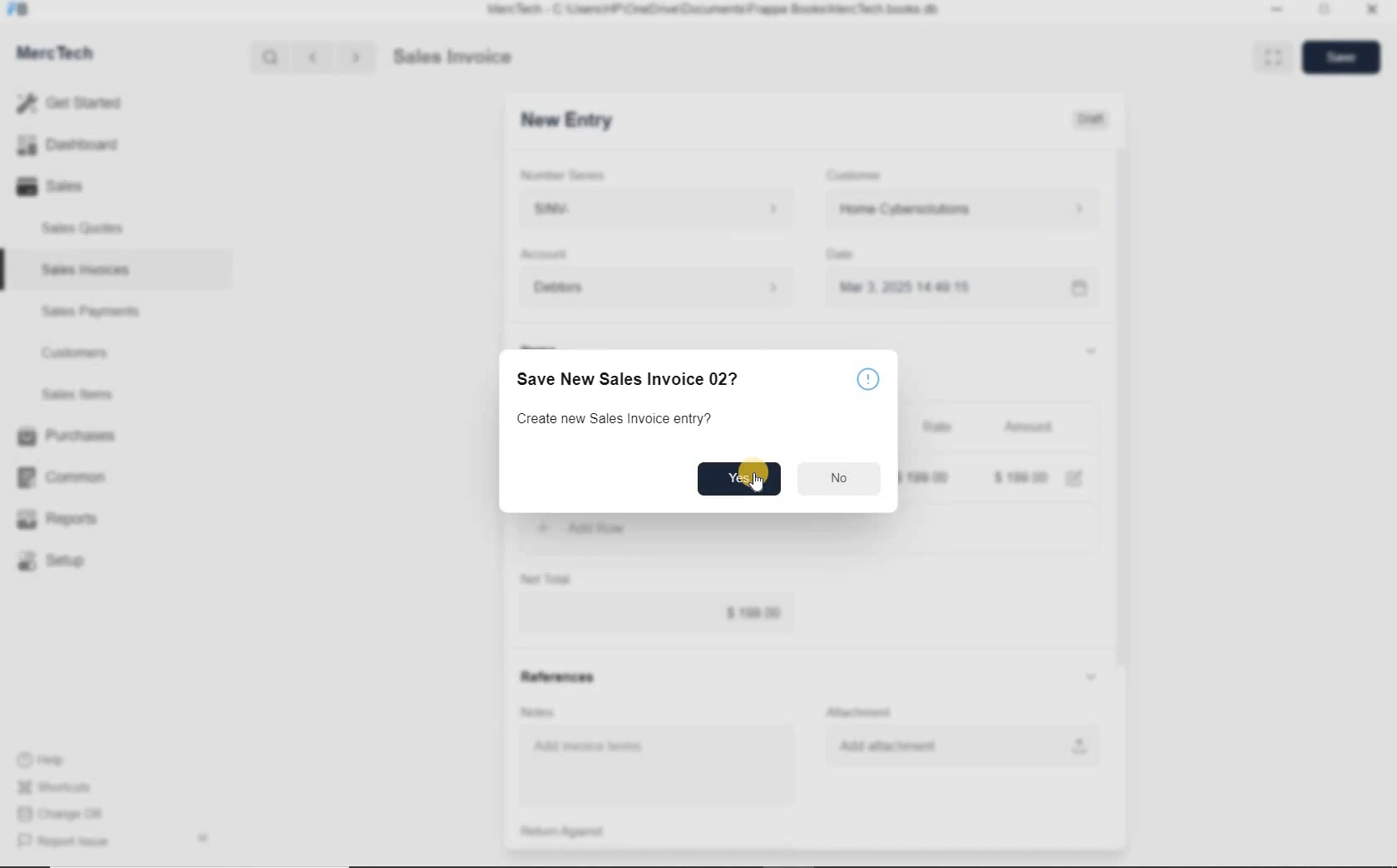  Describe the element at coordinates (70, 520) in the screenshot. I see `Reports` at that location.